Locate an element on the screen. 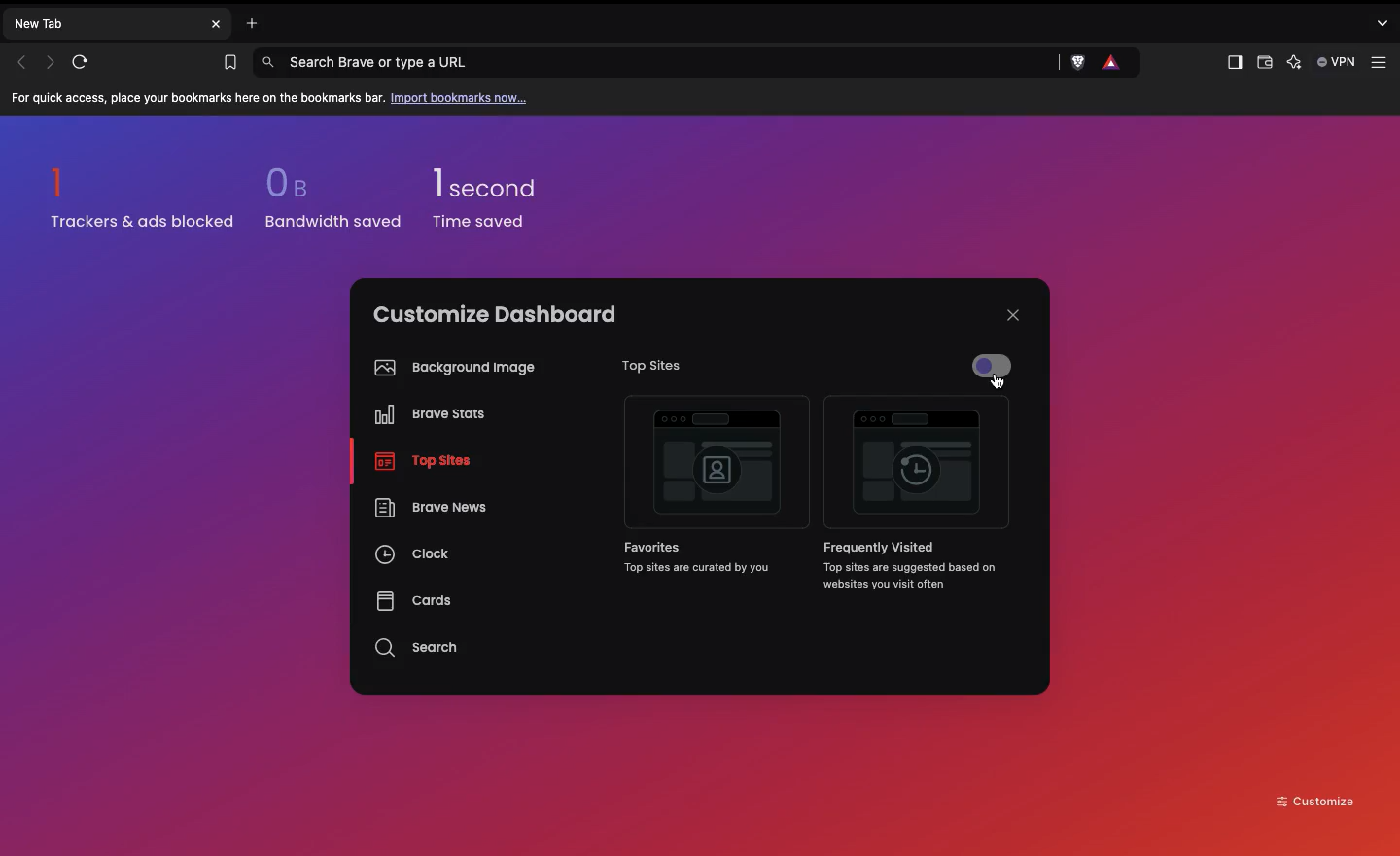 This screenshot has width=1400, height=856. New background is located at coordinates (1003, 195).